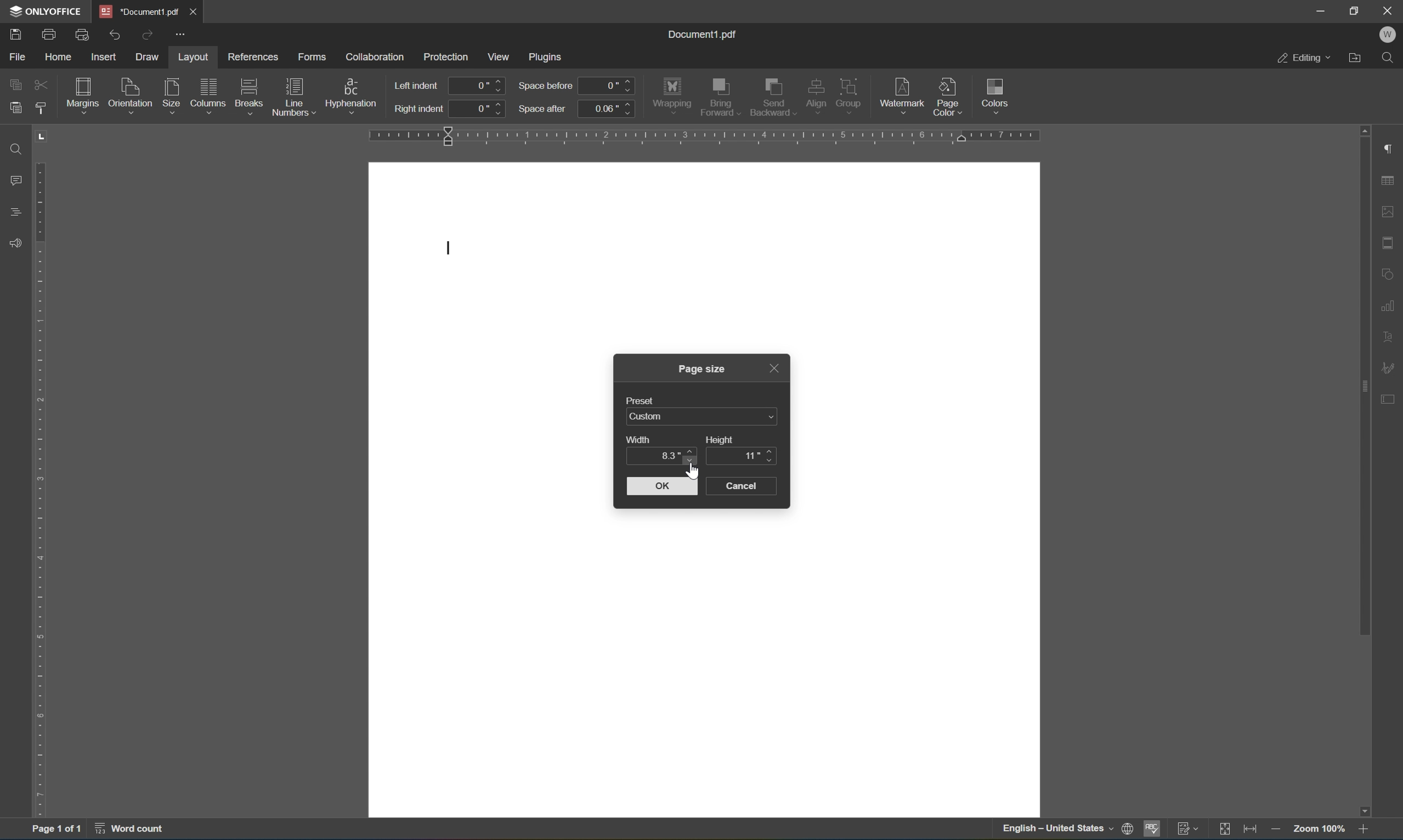  What do you see at coordinates (1389, 181) in the screenshot?
I see `table settings` at bounding box center [1389, 181].